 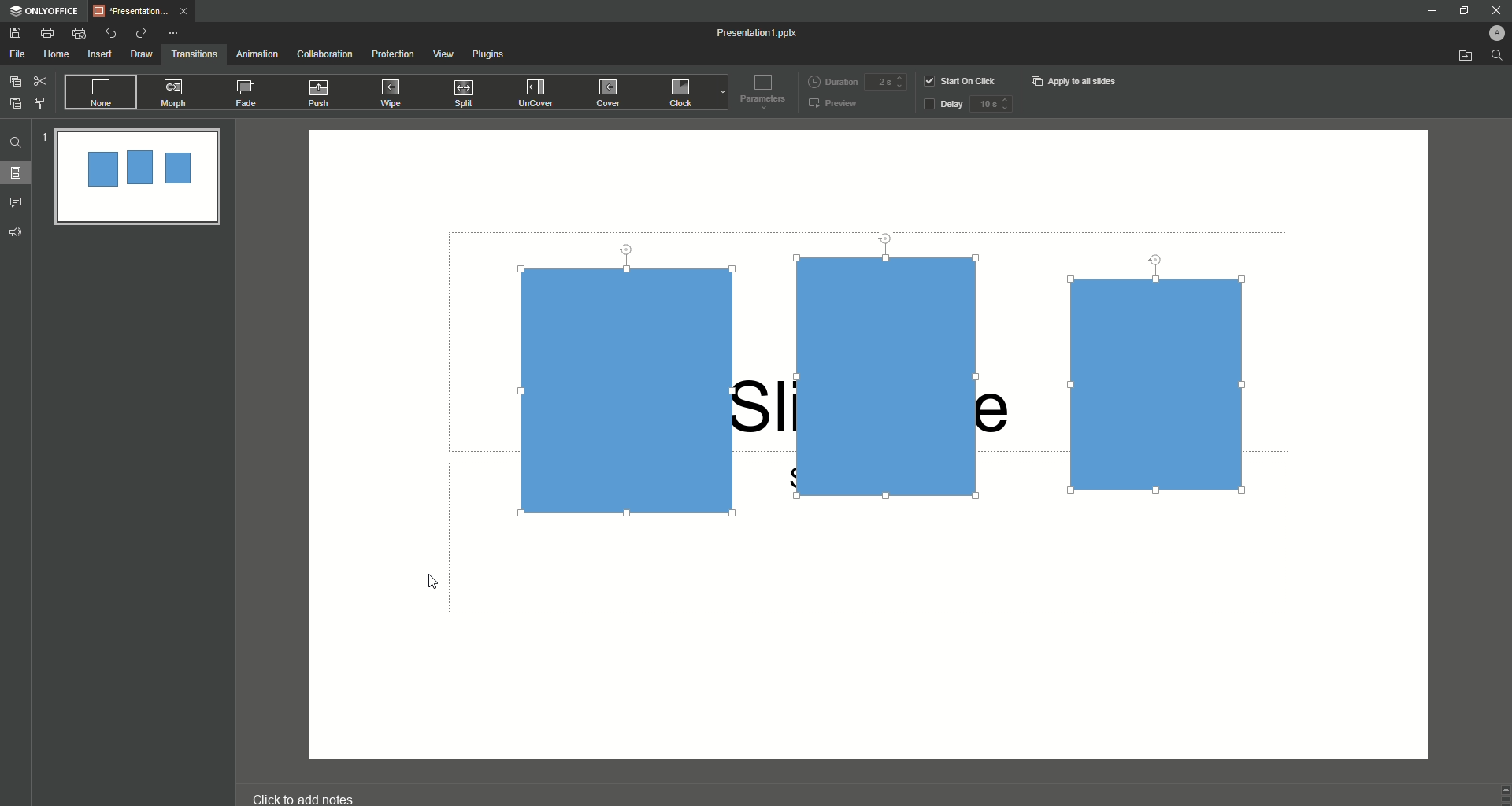 I want to click on Paste, so click(x=16, y=103).